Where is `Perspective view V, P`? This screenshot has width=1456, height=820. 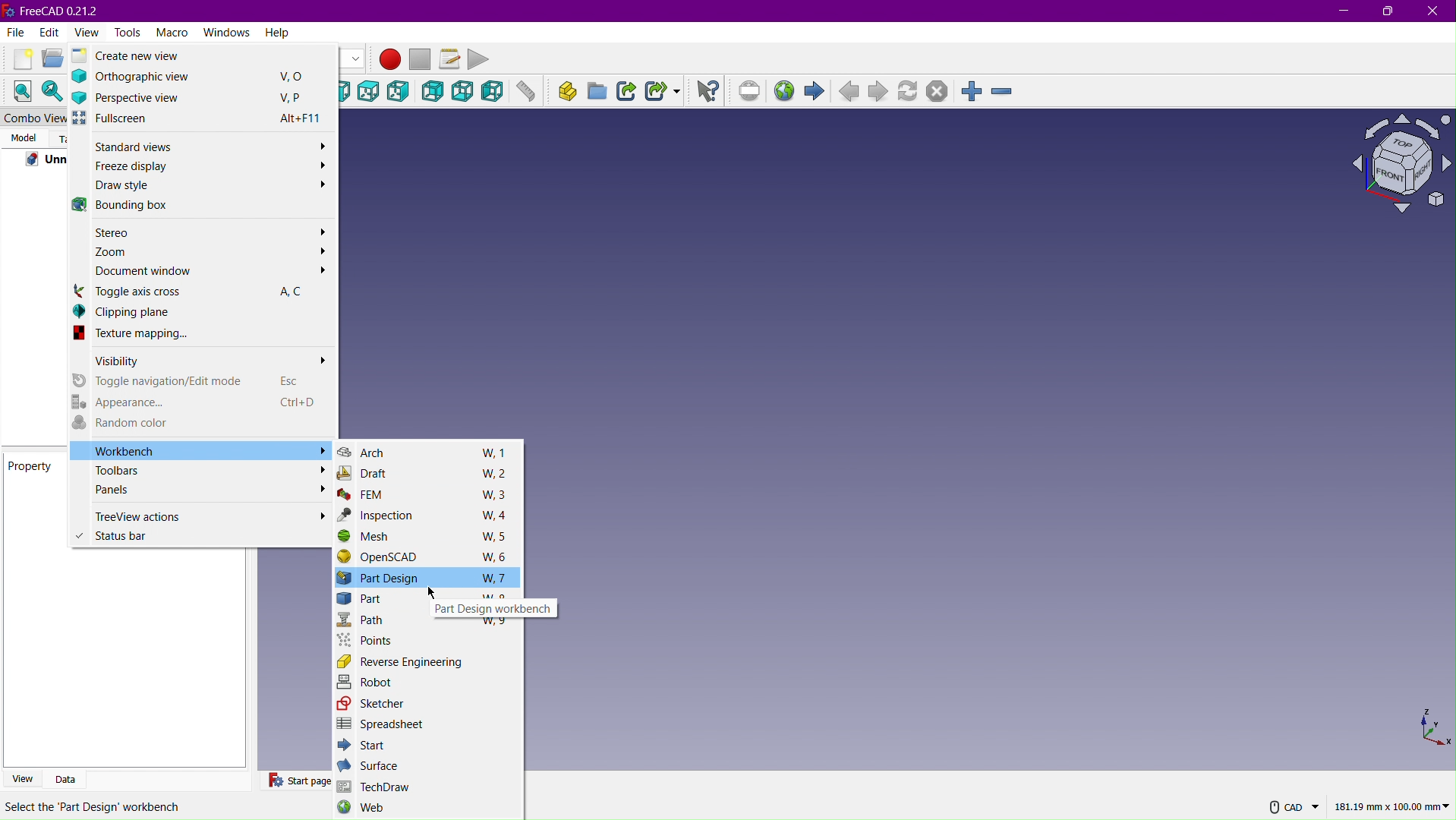
Perspective view V, P is located at coordinates (191, 99).